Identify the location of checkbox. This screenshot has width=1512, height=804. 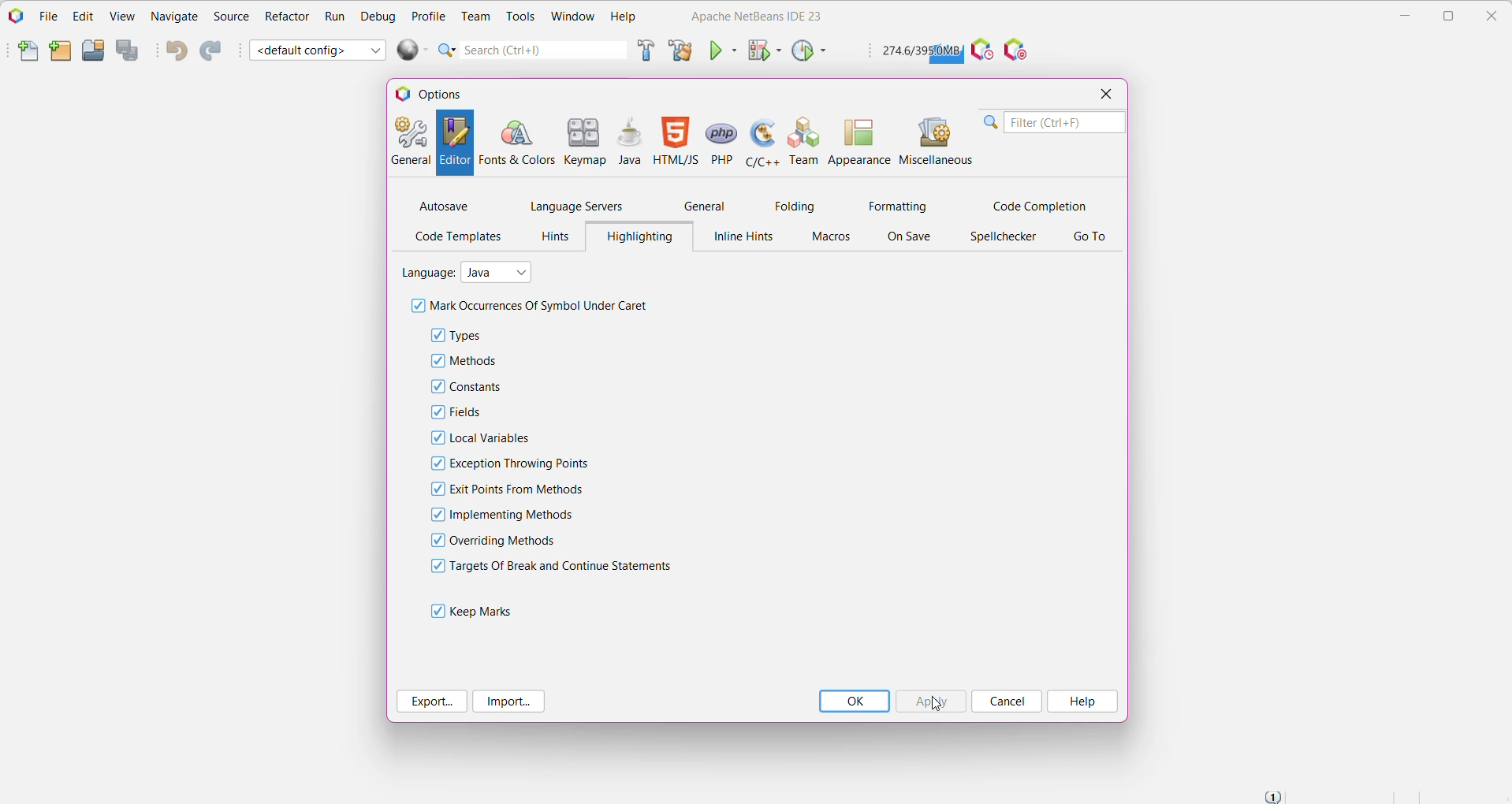
(434, 565).